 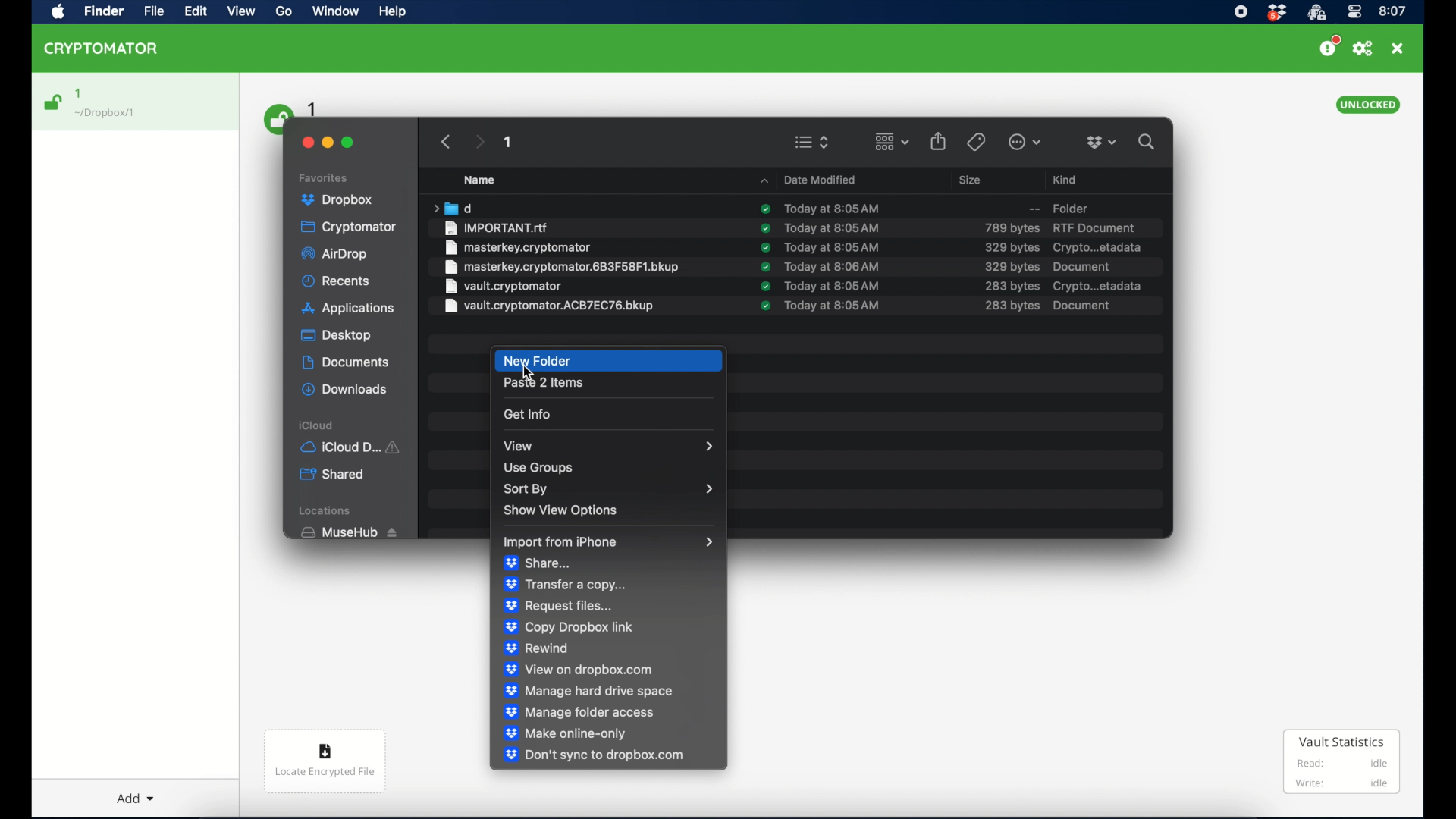 I want to click on crypto, so click(x=1097, y=248).